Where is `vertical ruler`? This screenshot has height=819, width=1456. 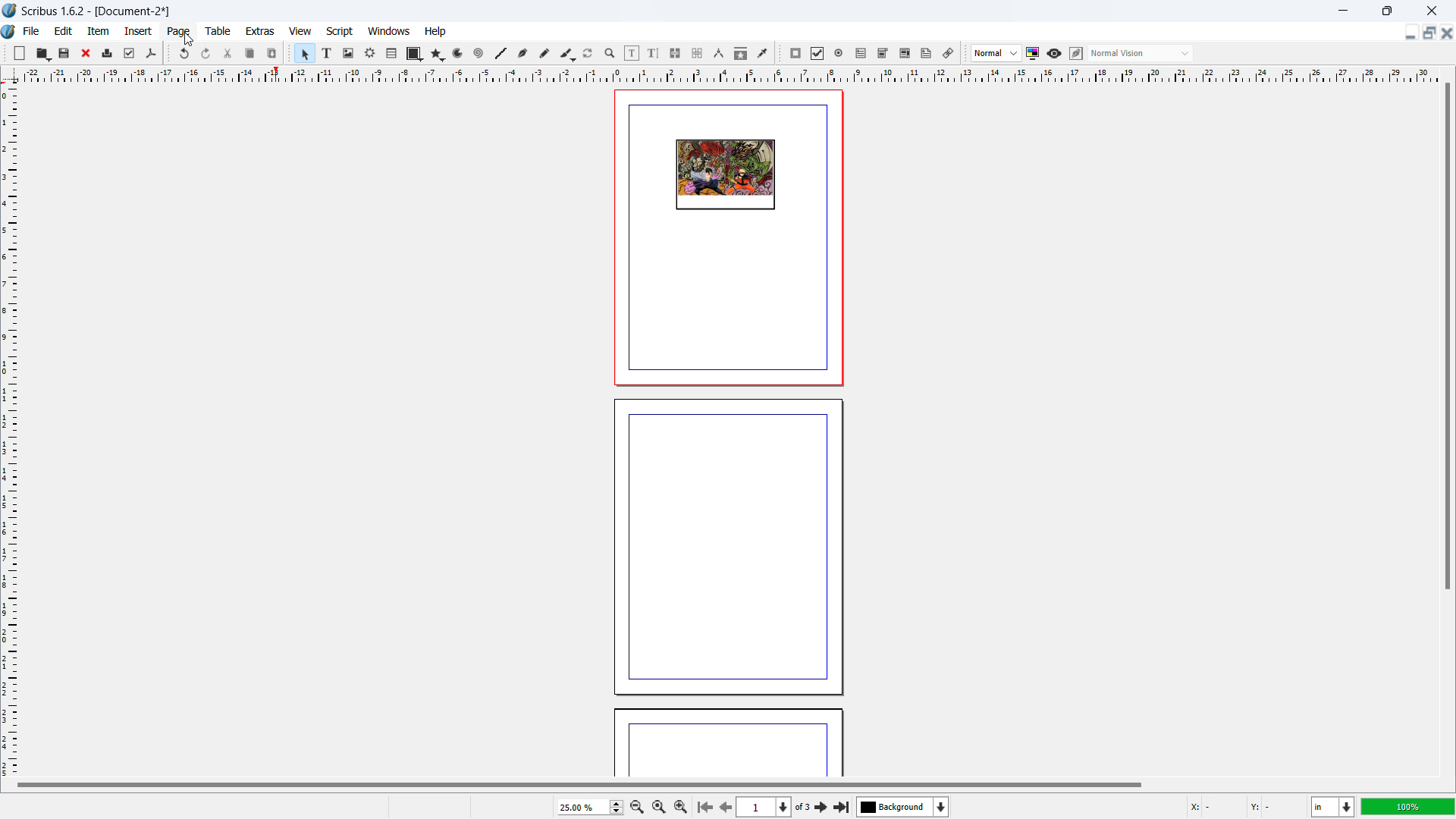 vertical ruler is located at coordinates (9, 430).